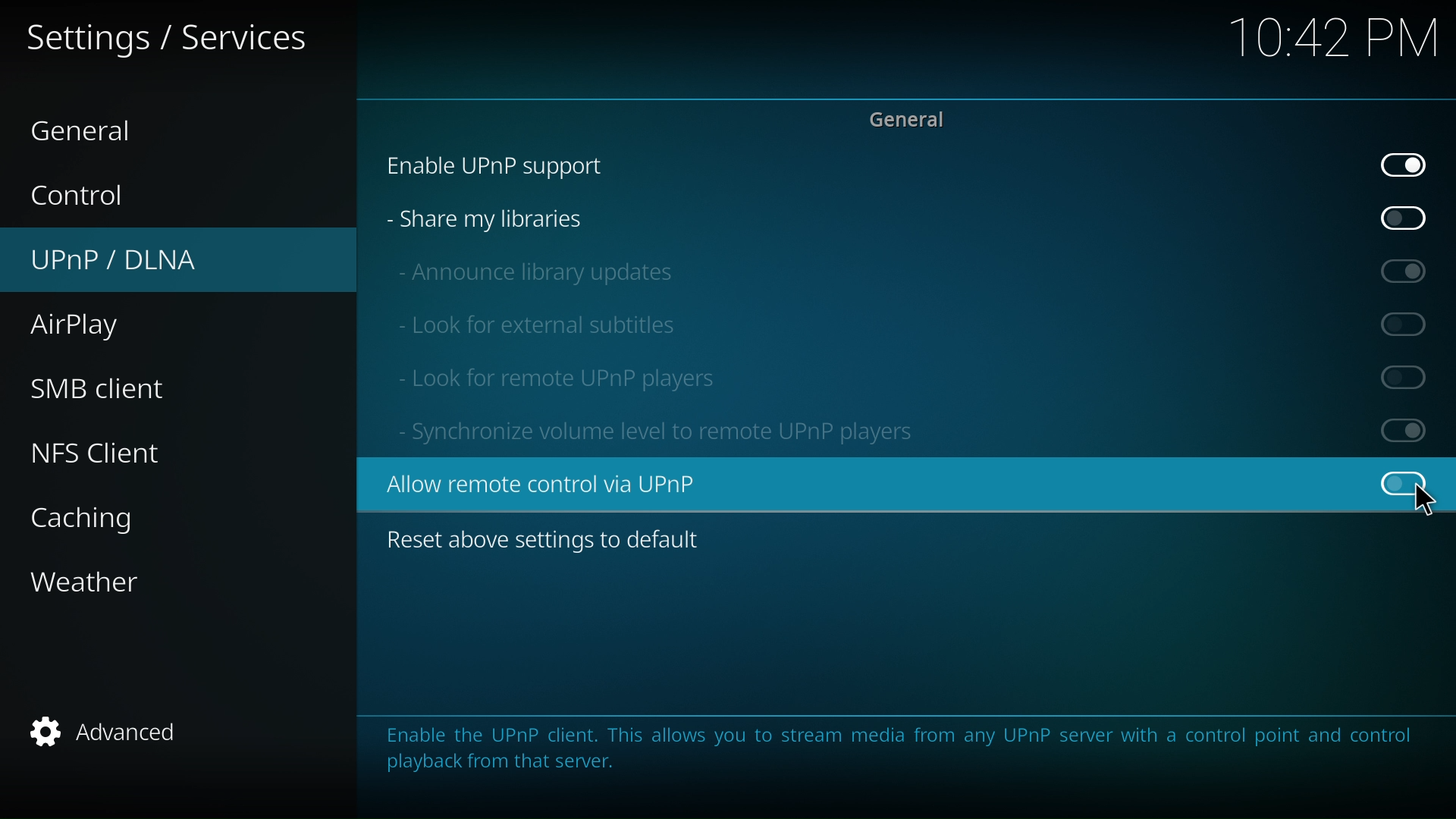 The image size is (1456, 819). Describe the element at coordinates (120, 258) in the screenshot. I see `UPnP/DLNA` at that location.